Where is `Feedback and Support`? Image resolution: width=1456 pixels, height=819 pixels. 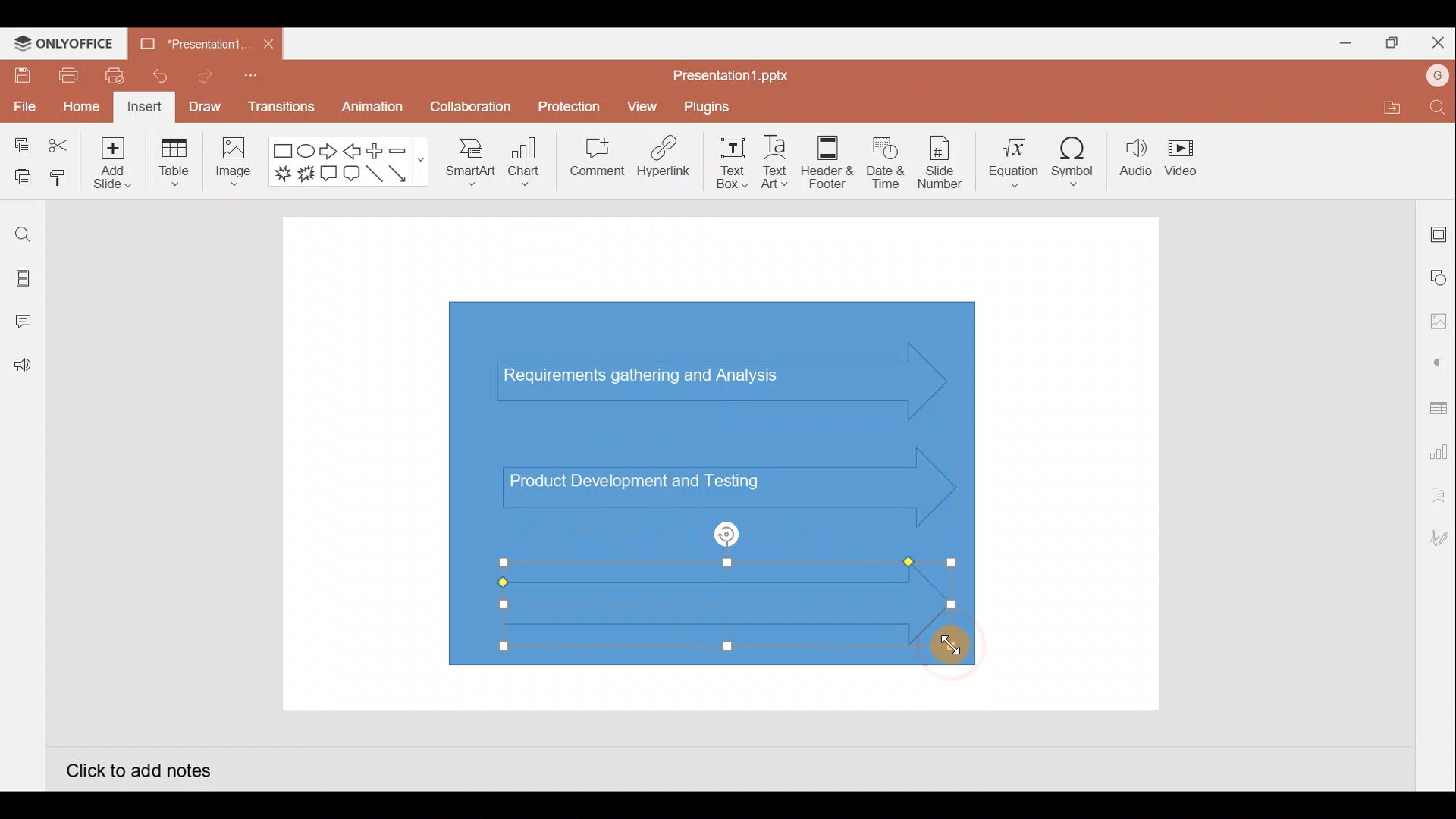 Feedback and Support is located at coordinates (22, 369).